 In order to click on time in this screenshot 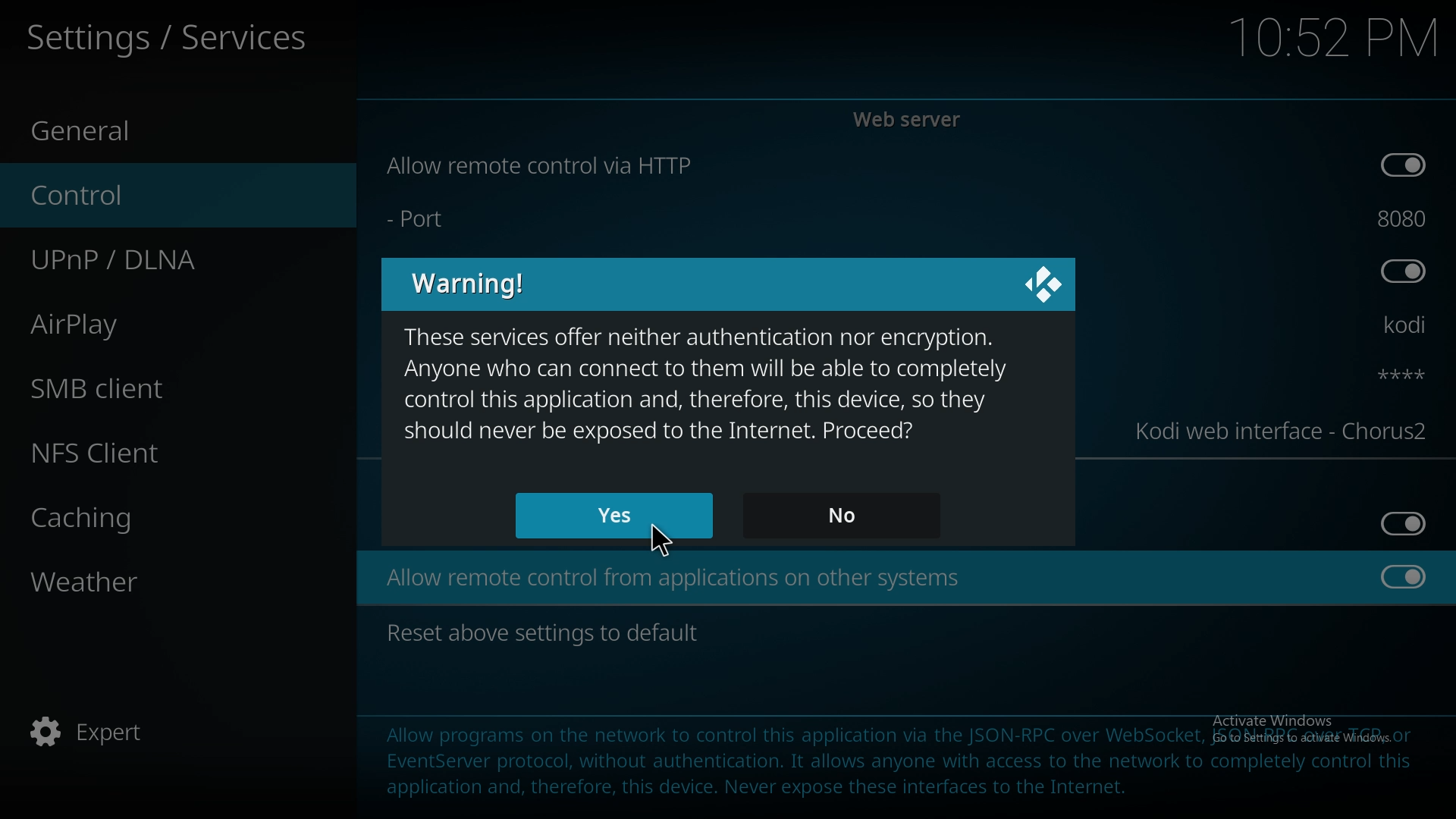, I will do `click(1333, 36)`.